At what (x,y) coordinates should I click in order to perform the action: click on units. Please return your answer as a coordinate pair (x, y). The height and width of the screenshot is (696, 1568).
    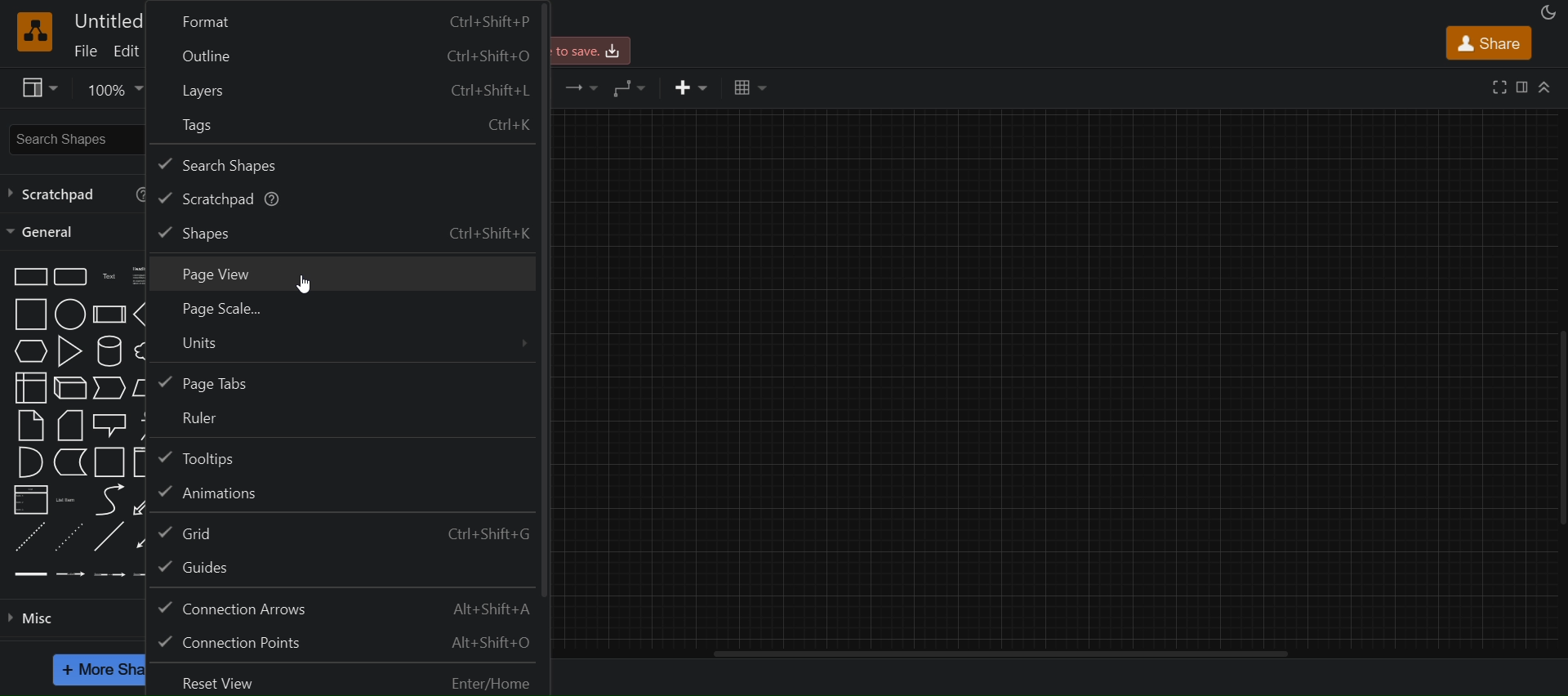
    Looking at the image, I should click on (346, 345).